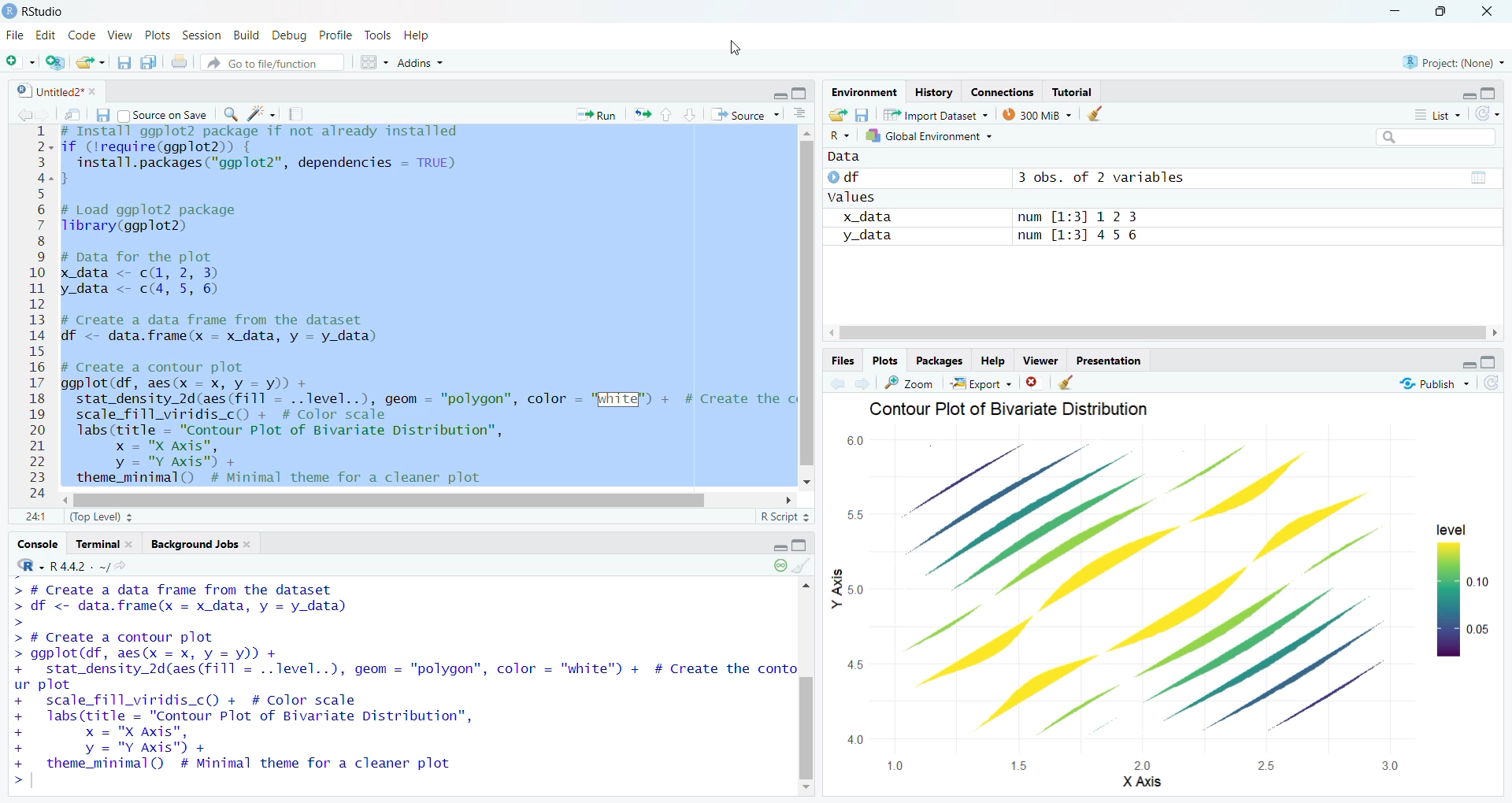  What do you see at coordinates (401, 690) in the screenshot?
I see `© SpE Wess PETS. WYSE. Spm
> df <- data.frame(x = x_data, y = y_data)

>

> # Create a contour plot

> ggplot(df, aes(x = x, y = y)) +

+ stat_density_2d(aes(fill = ..Tlevel..), geom = "polygon", color = "white") + # Create the cont
ur plot

+ scale_fill_viridis_cO + # Color scale

+ labs(title = "Contour Plot of Bivariate Distribution”,

+ x = "X Axis",

+ y = "Y Axis") +

+ theme_minimal() # Minimal theme for a cleaner plot

>` at bounding box center [401, 690].